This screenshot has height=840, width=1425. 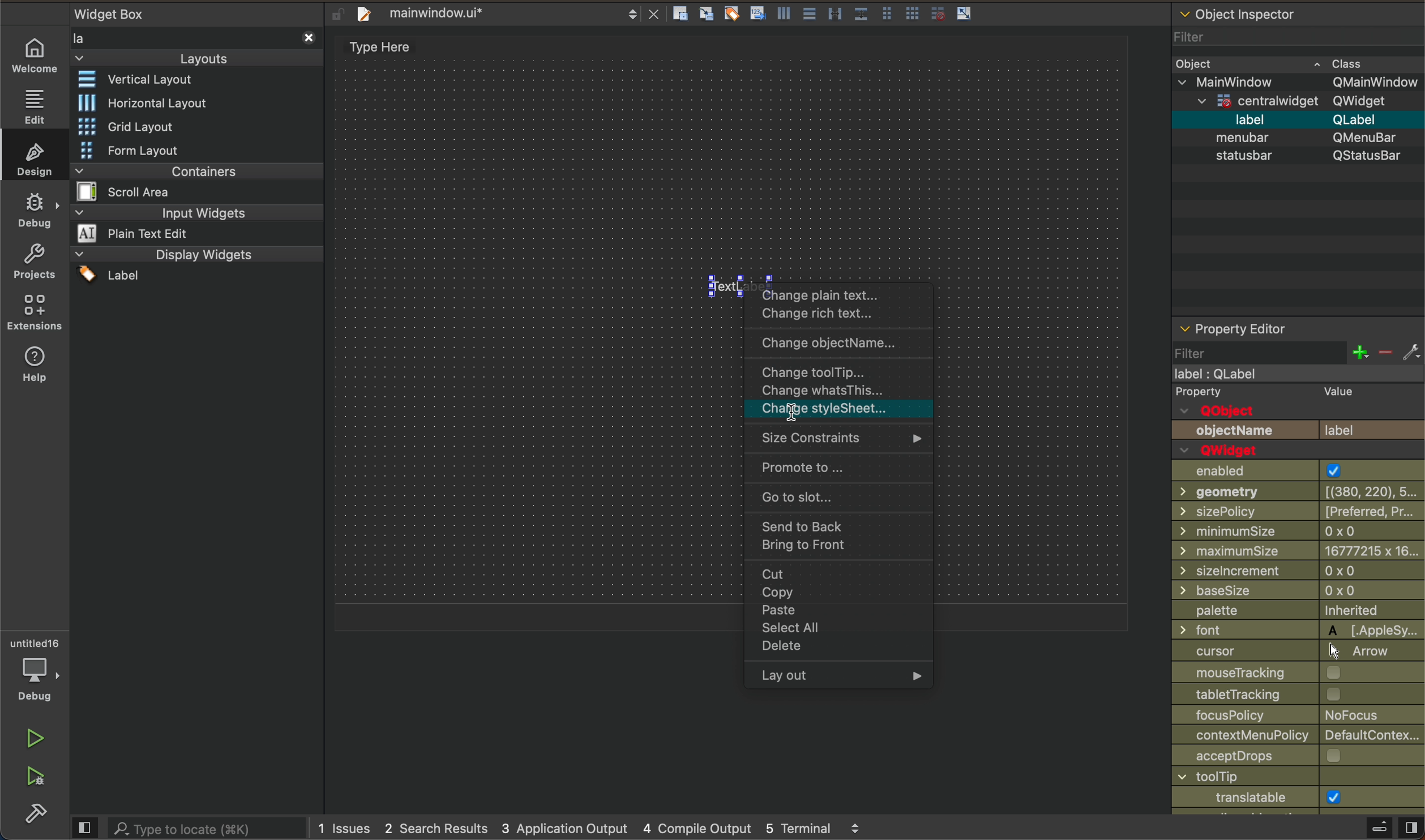 What do you see at coordinates (441, 828) in the screenshot?
I see `2 search result` at bounding box center [441, 828].